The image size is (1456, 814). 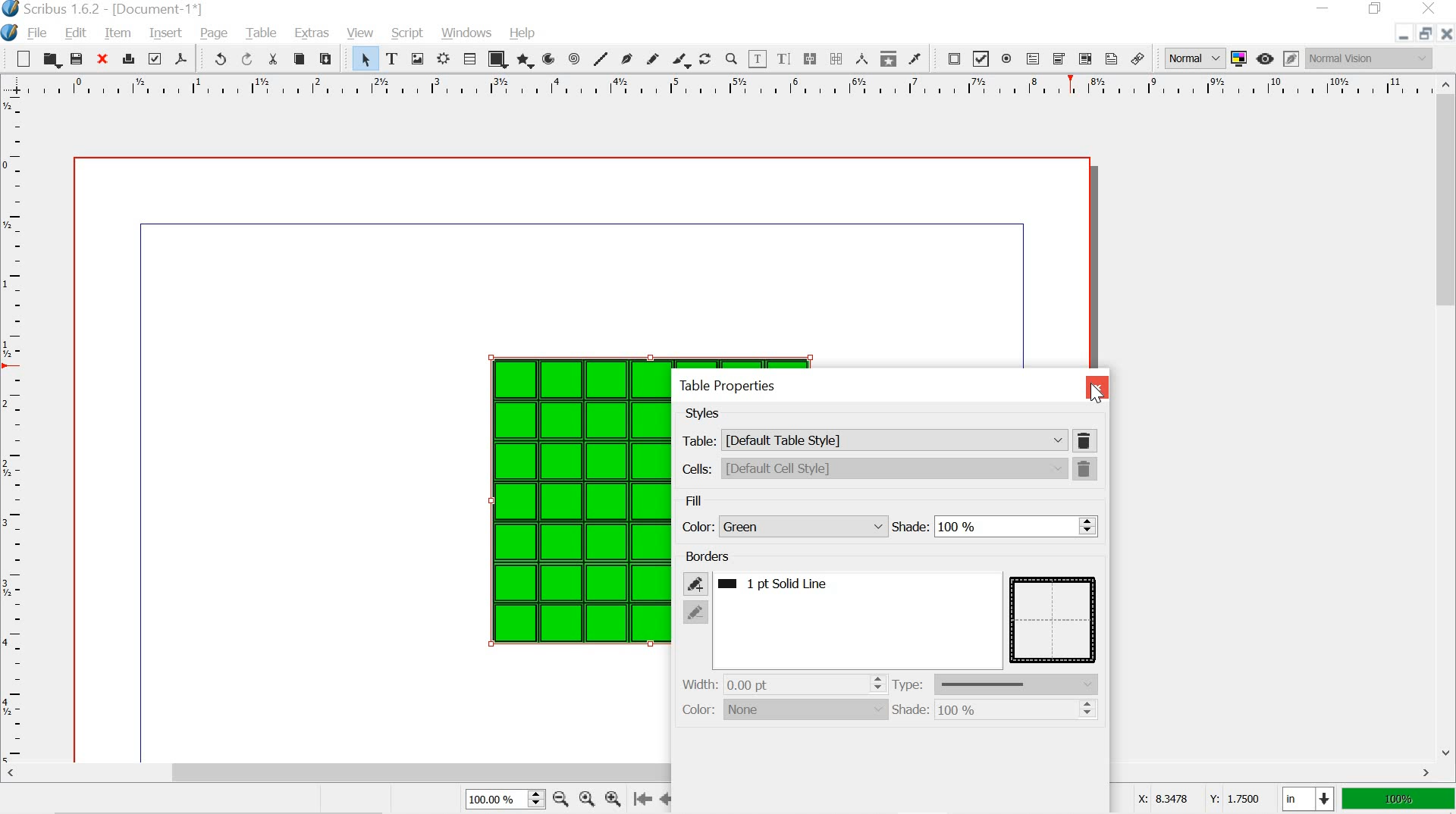 What do you see at coordinates (1112, 58) in the screenshot?
I see `text annotation` at bounding box center [1112, 58].